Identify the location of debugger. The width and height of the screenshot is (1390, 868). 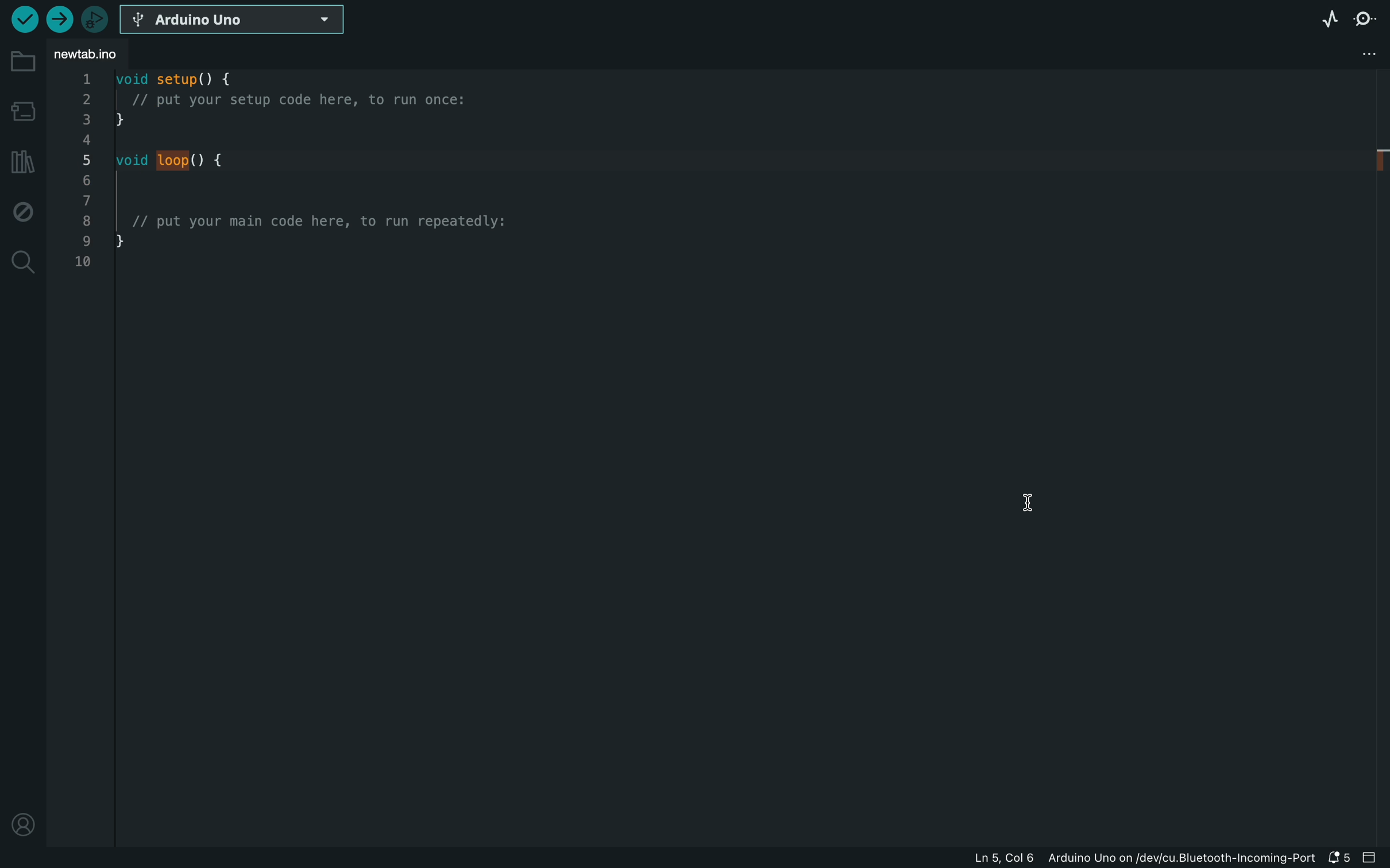
(94, 19).